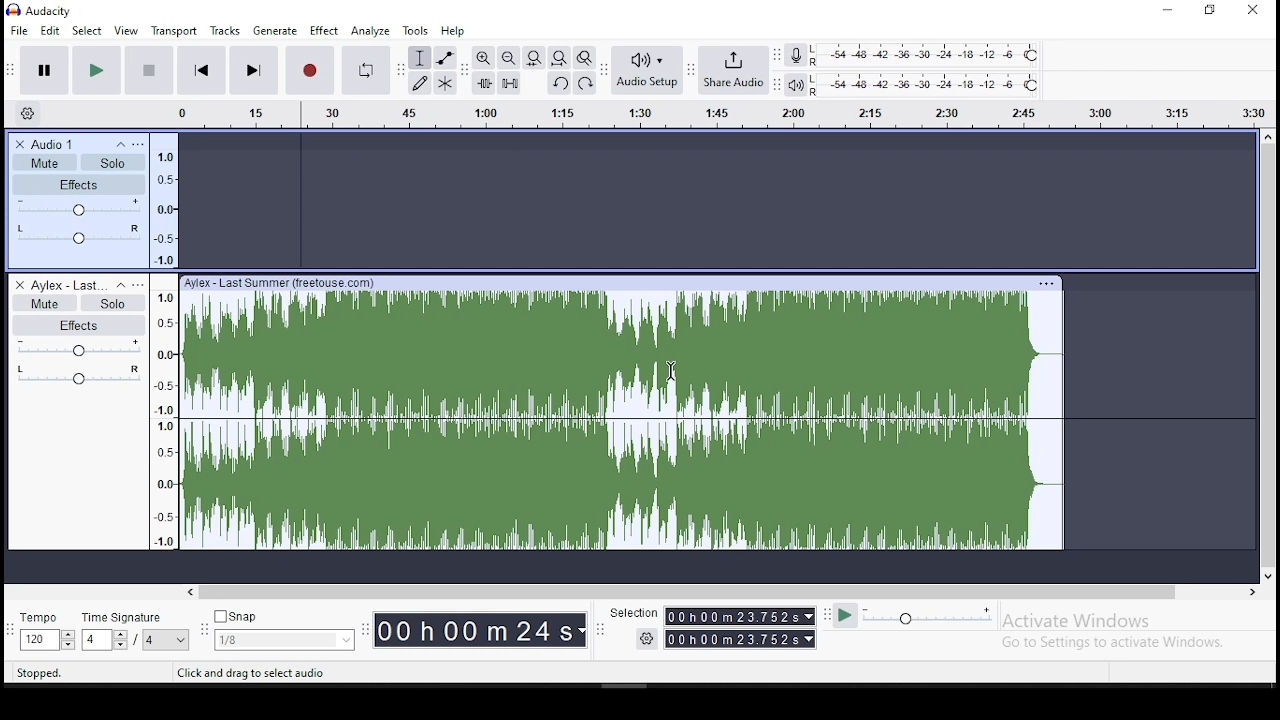 Image resolution: width=1280 pixels, height=720 pixels. What do you see at coordinates (49, 30) in the screenshot?
I see `edit` at bounding box center [49, 30].